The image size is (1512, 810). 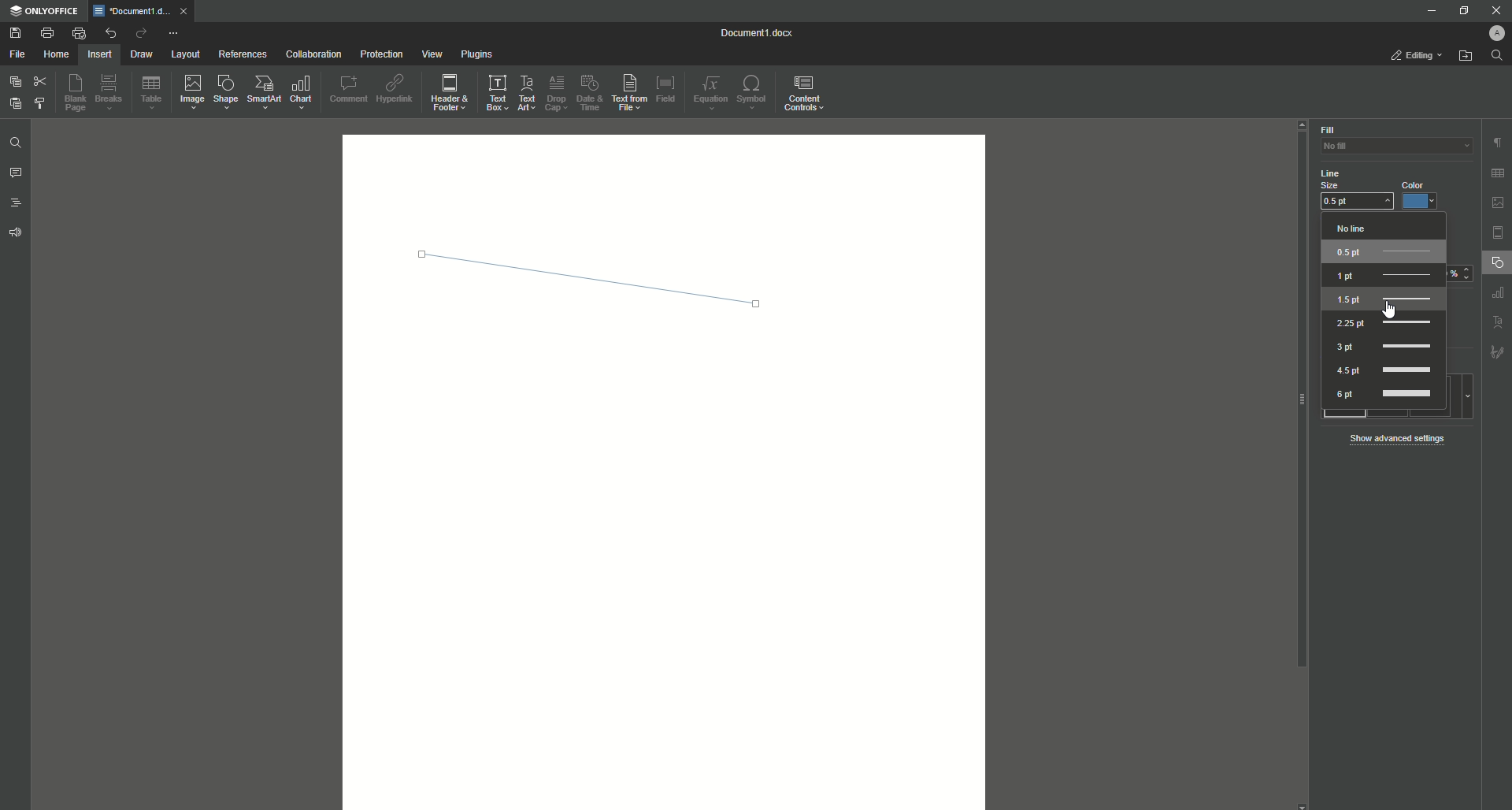 What do you see at coordinates (47, 11) in the screenshot?
I see `ONLYOFFICE` at bounding box center [47, 11].